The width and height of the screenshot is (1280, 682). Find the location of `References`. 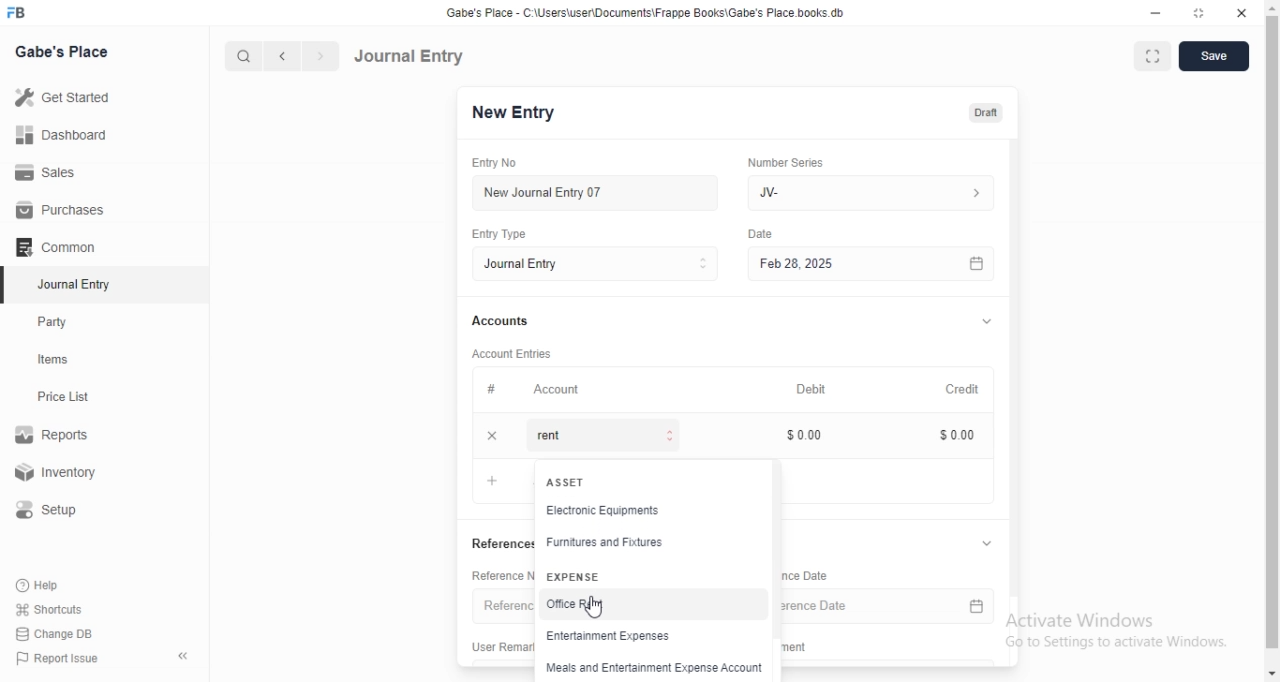

References is located at coordinates (499, 543).